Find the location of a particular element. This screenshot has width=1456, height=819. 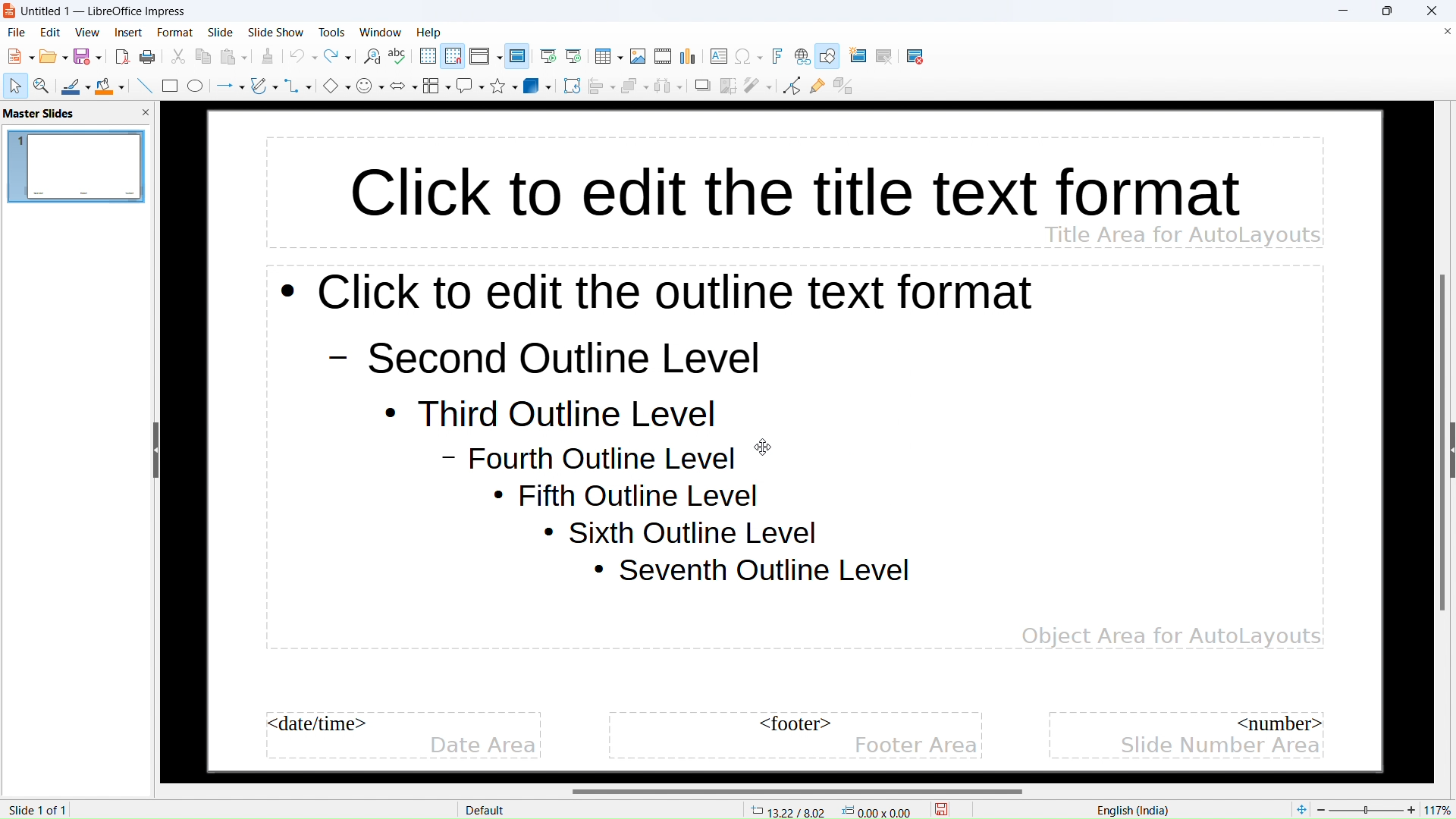

Title area for AutoLayouts is located at coordinates (1182, 234).